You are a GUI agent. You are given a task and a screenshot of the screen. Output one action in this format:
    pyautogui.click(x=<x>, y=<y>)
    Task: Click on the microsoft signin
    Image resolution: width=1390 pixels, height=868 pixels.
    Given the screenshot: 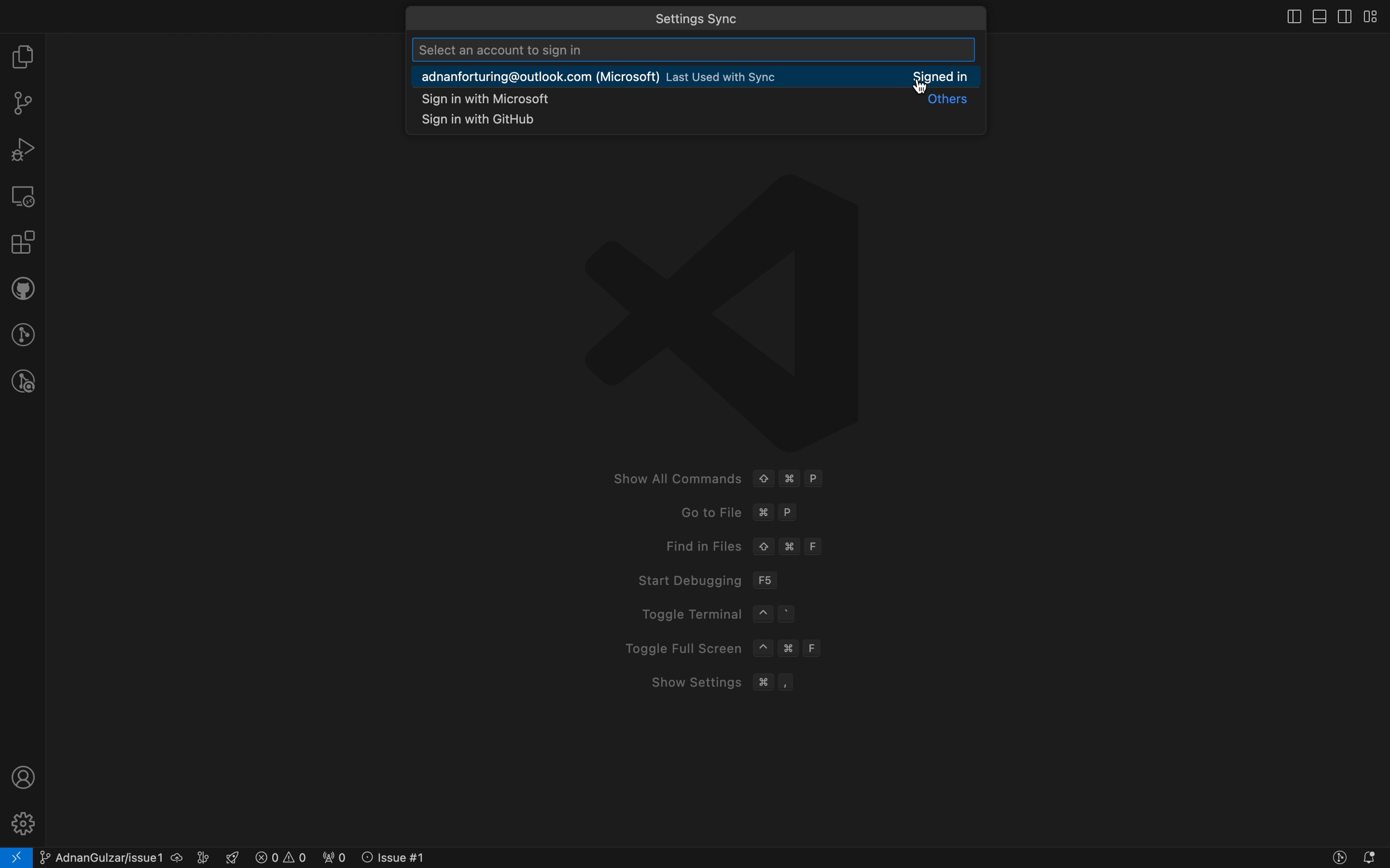 What is the action you would take?
    pyautogui.click(x=697, y=99)
    